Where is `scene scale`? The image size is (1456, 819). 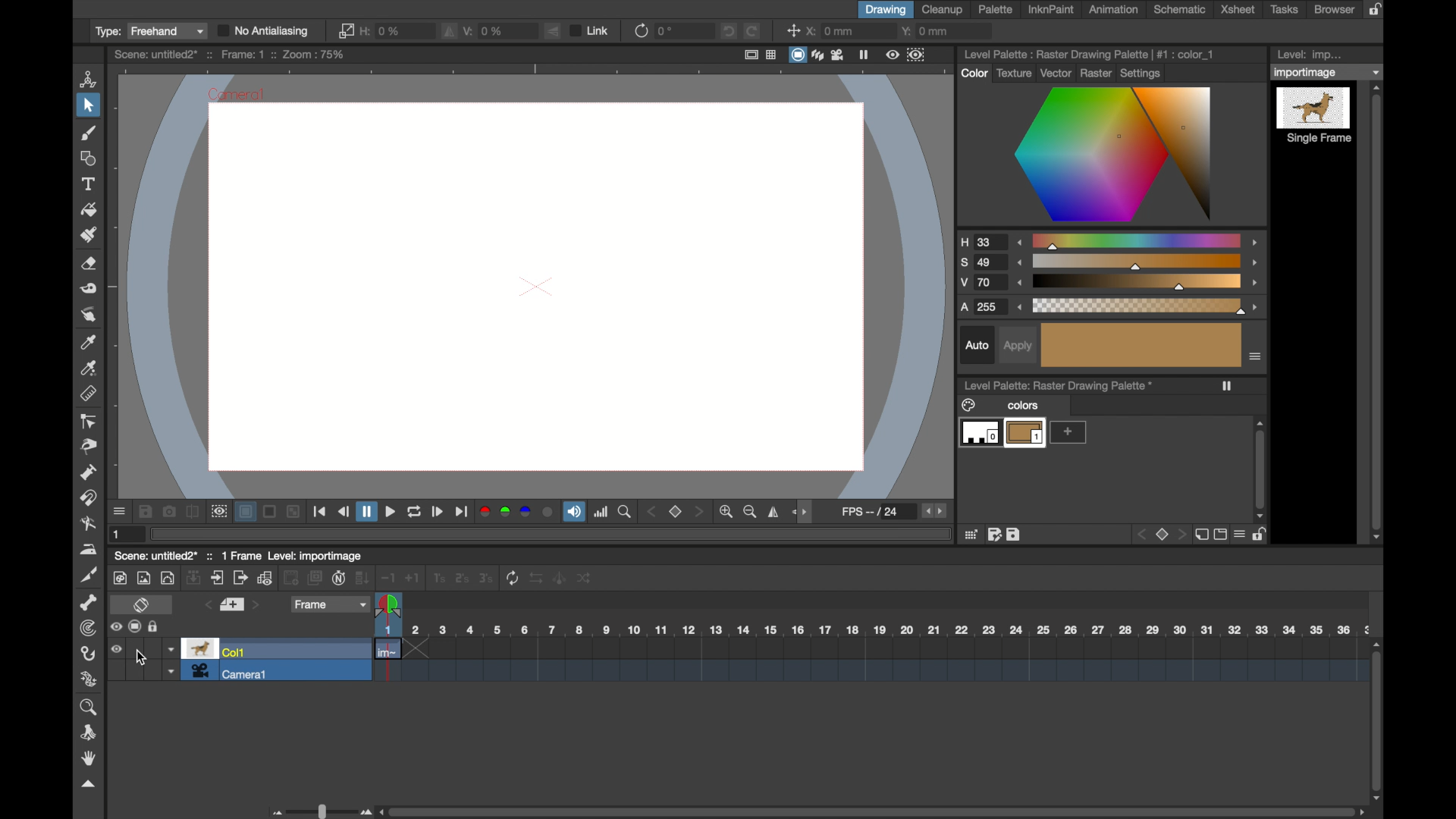 scene scale is located at coordinates (870, 630).